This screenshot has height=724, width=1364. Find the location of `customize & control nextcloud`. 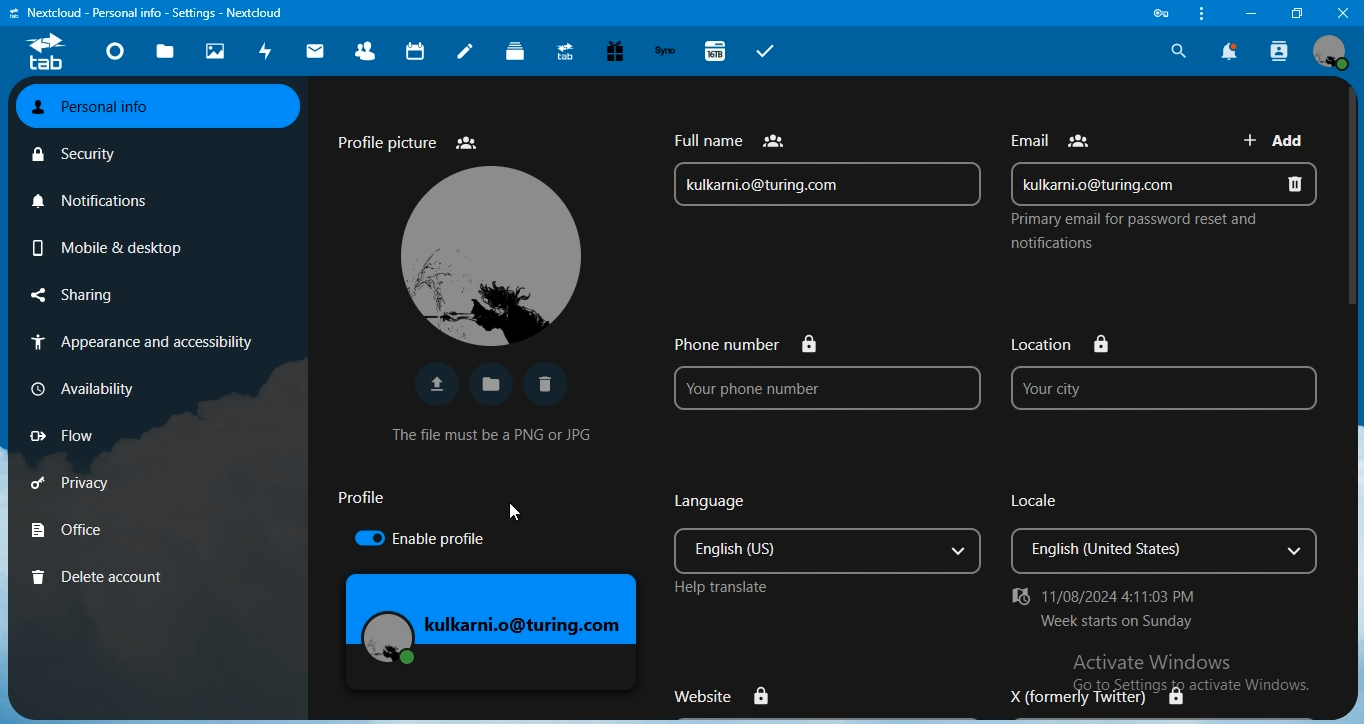

customize & control nextcloud is located at coordinates (1199, 14).